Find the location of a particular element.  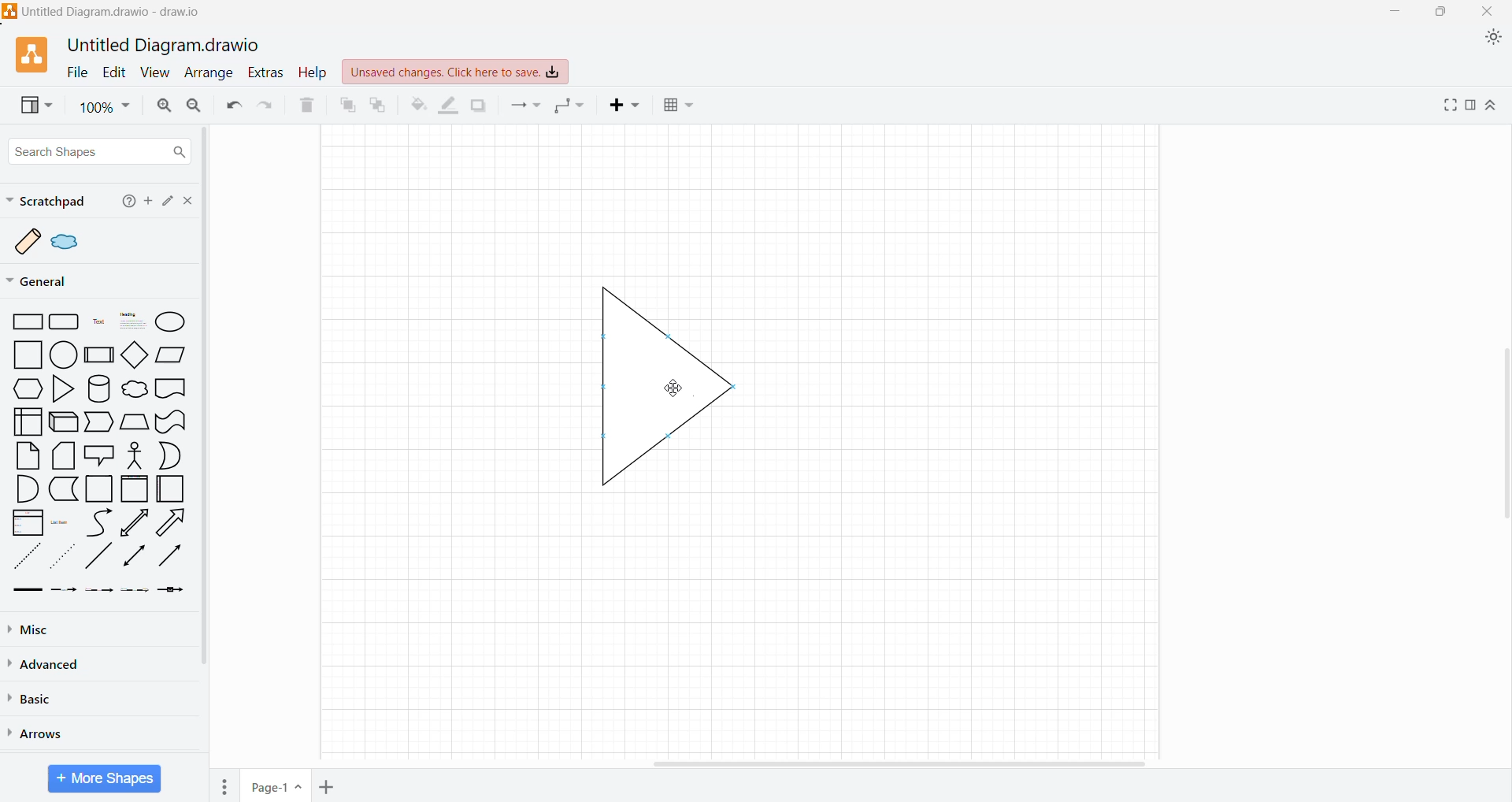

Shapes is located at coordinates (100, 457).